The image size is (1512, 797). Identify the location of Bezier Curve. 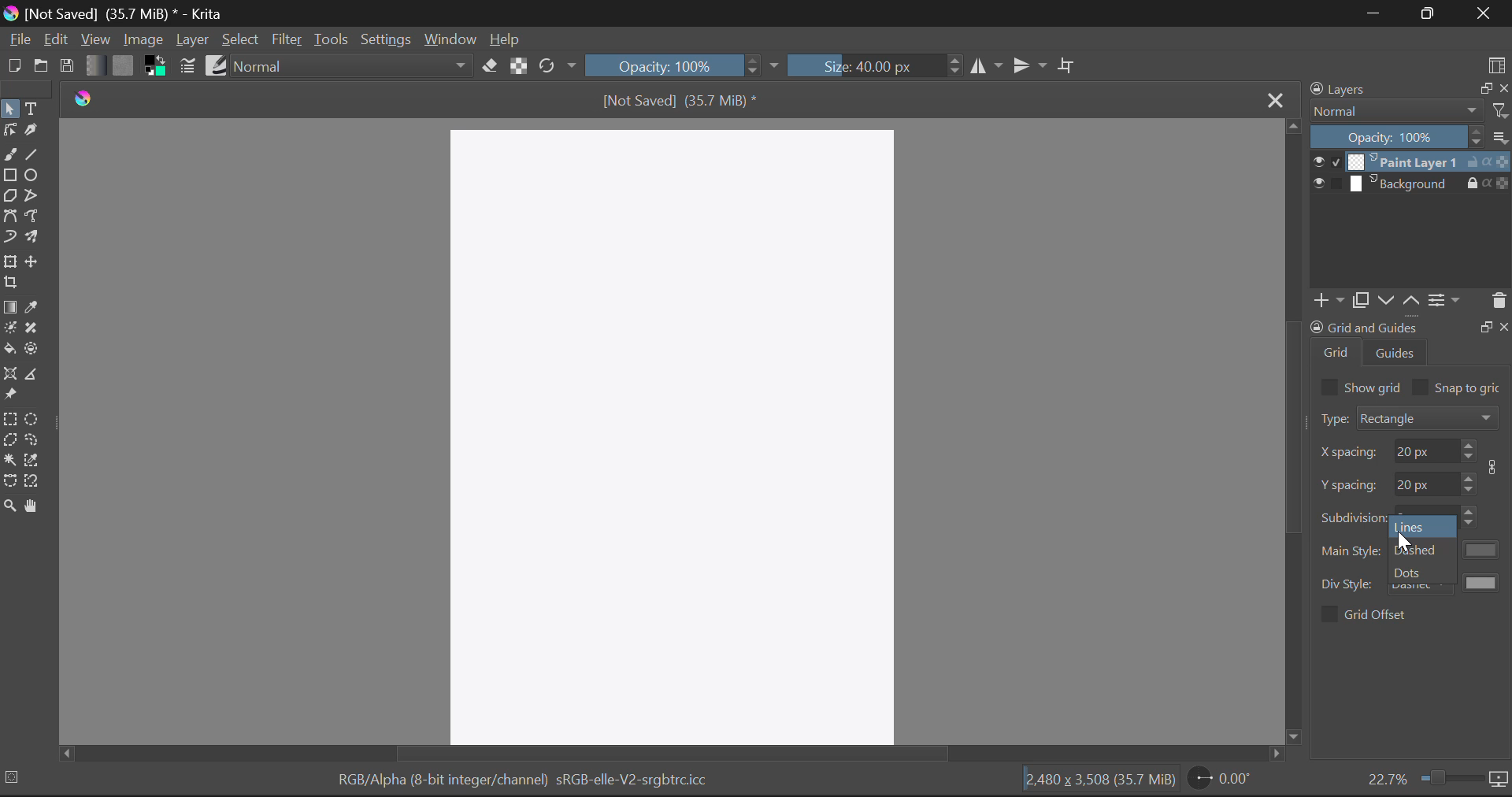
(11, 219).